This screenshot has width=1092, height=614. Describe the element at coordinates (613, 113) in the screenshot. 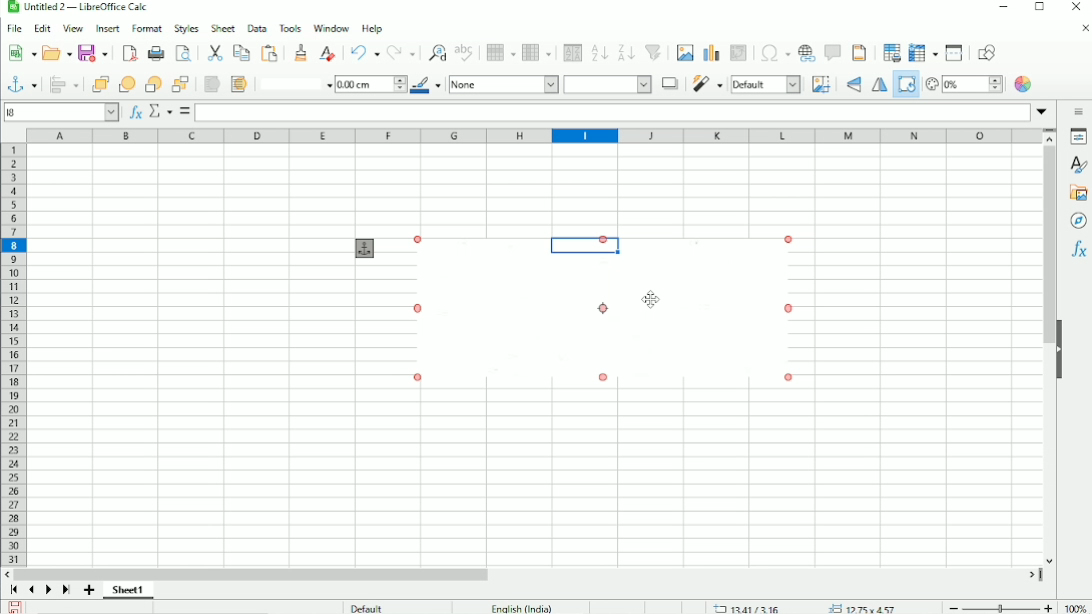

I see `Input line` at that location.